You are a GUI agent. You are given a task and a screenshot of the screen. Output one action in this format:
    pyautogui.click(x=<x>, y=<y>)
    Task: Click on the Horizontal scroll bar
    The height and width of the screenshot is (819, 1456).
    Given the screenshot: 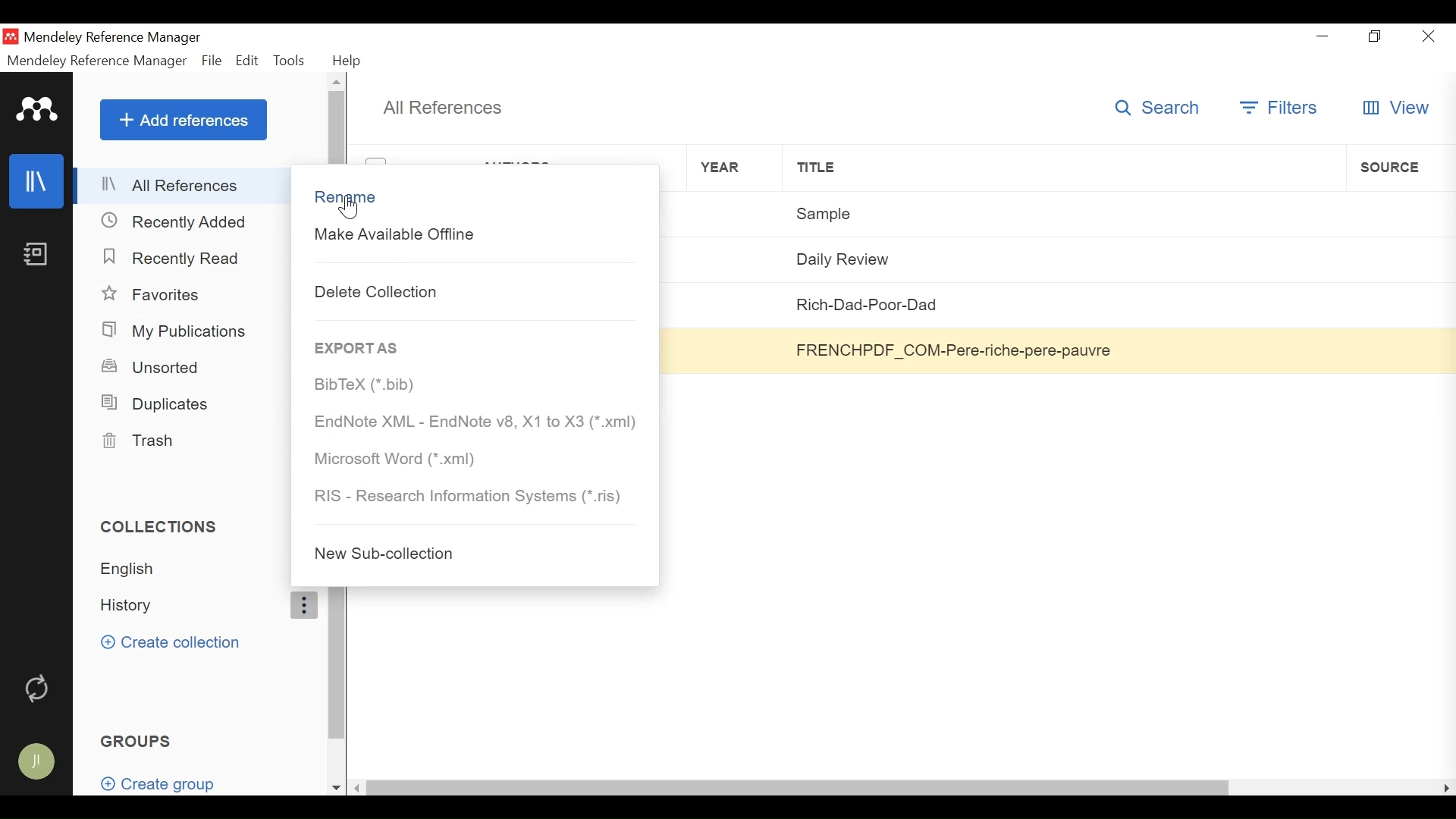 What is the action you would take?
    pyautogui.click(x=799, y=786)
    